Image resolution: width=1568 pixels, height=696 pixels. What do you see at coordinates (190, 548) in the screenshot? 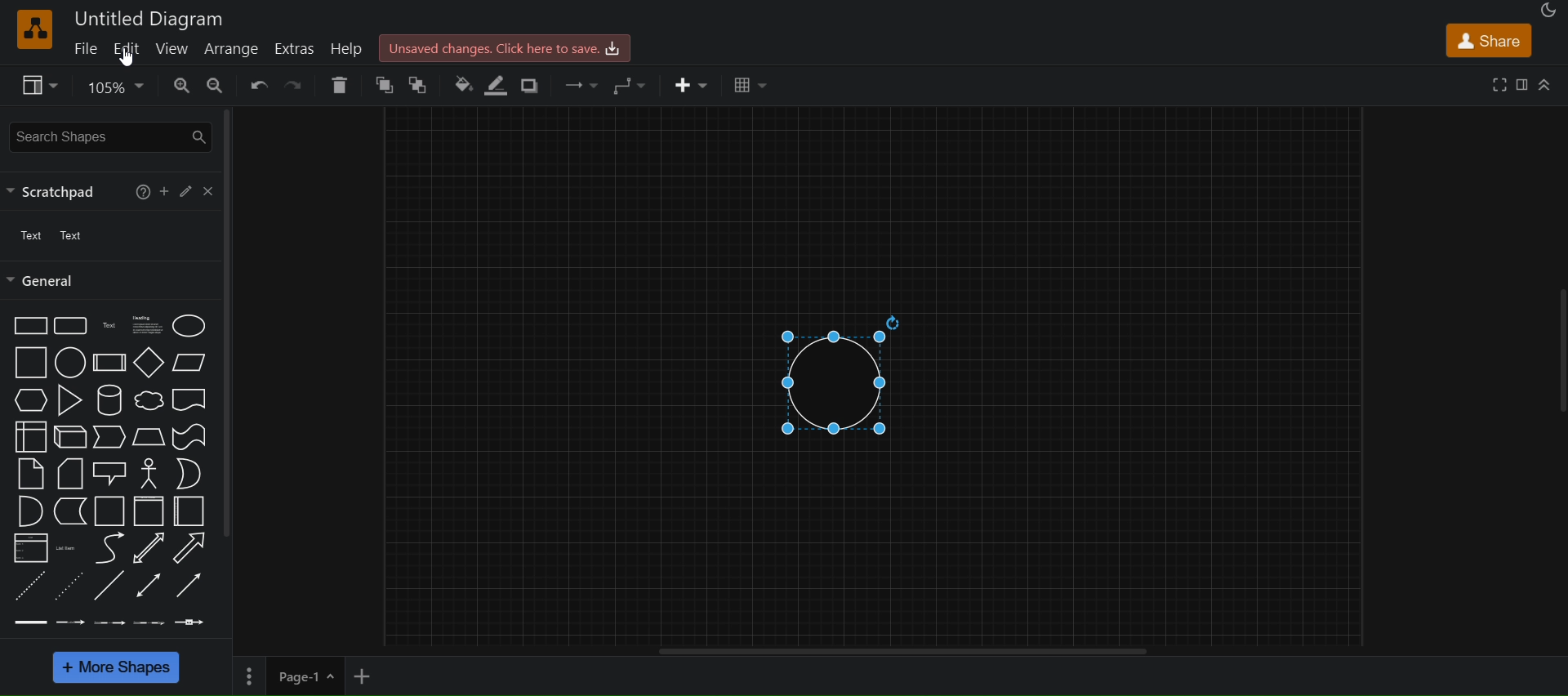
I see `arrow` at bounding box center [190, 548].